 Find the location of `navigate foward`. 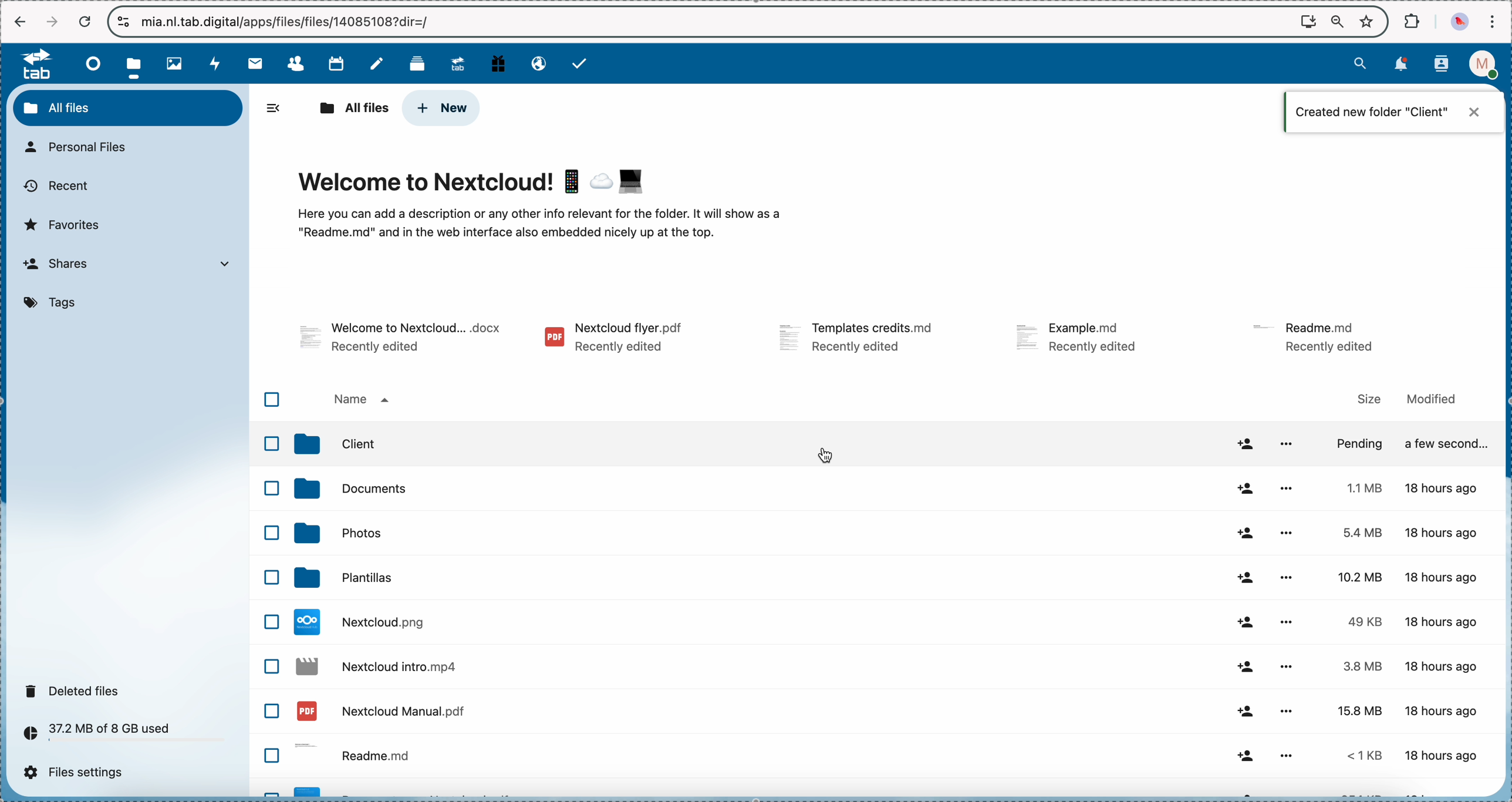

navigate foward is located at coordinates (52, 22).